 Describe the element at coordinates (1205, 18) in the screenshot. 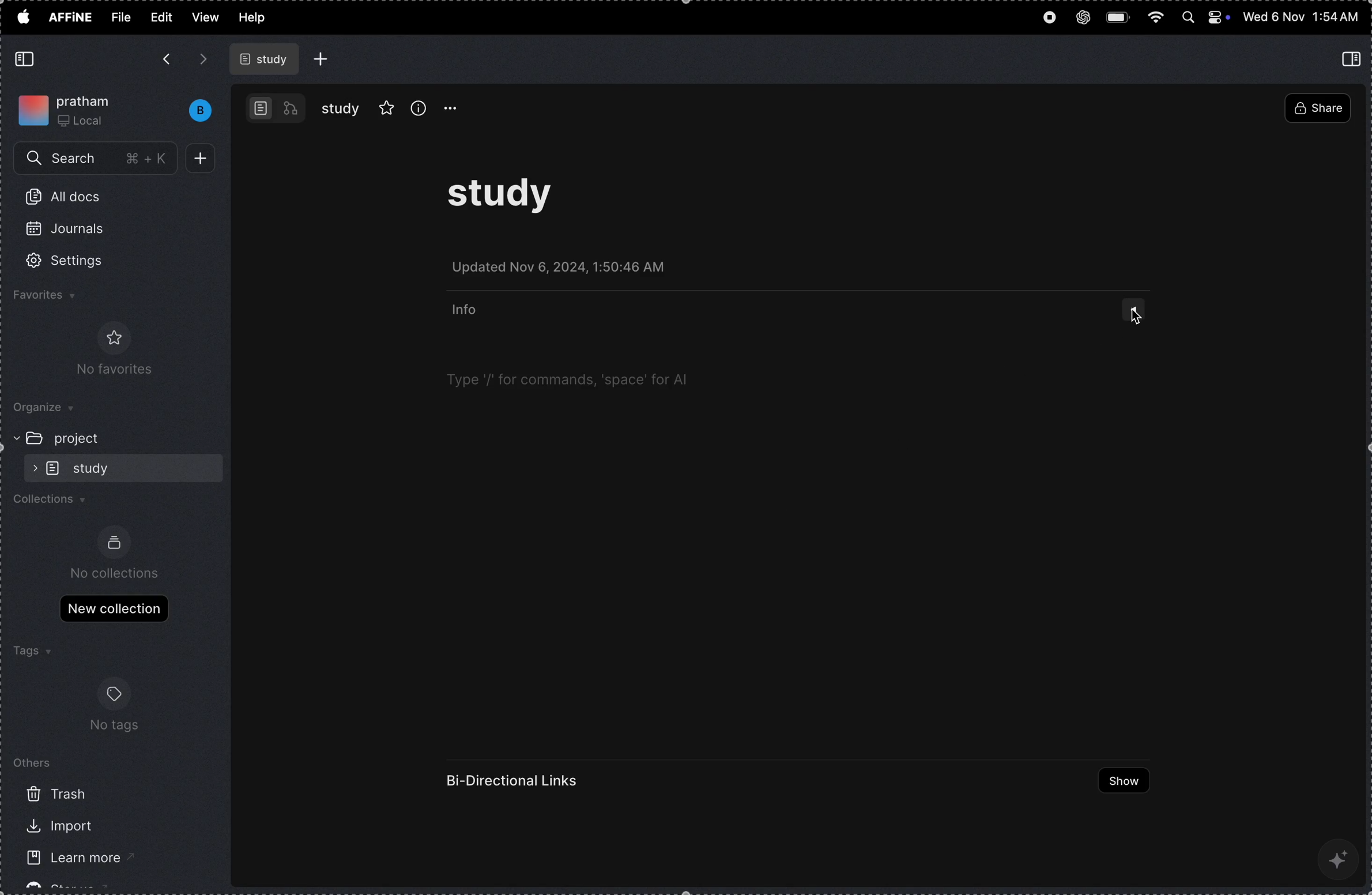

I see `apple widgets` at that location.